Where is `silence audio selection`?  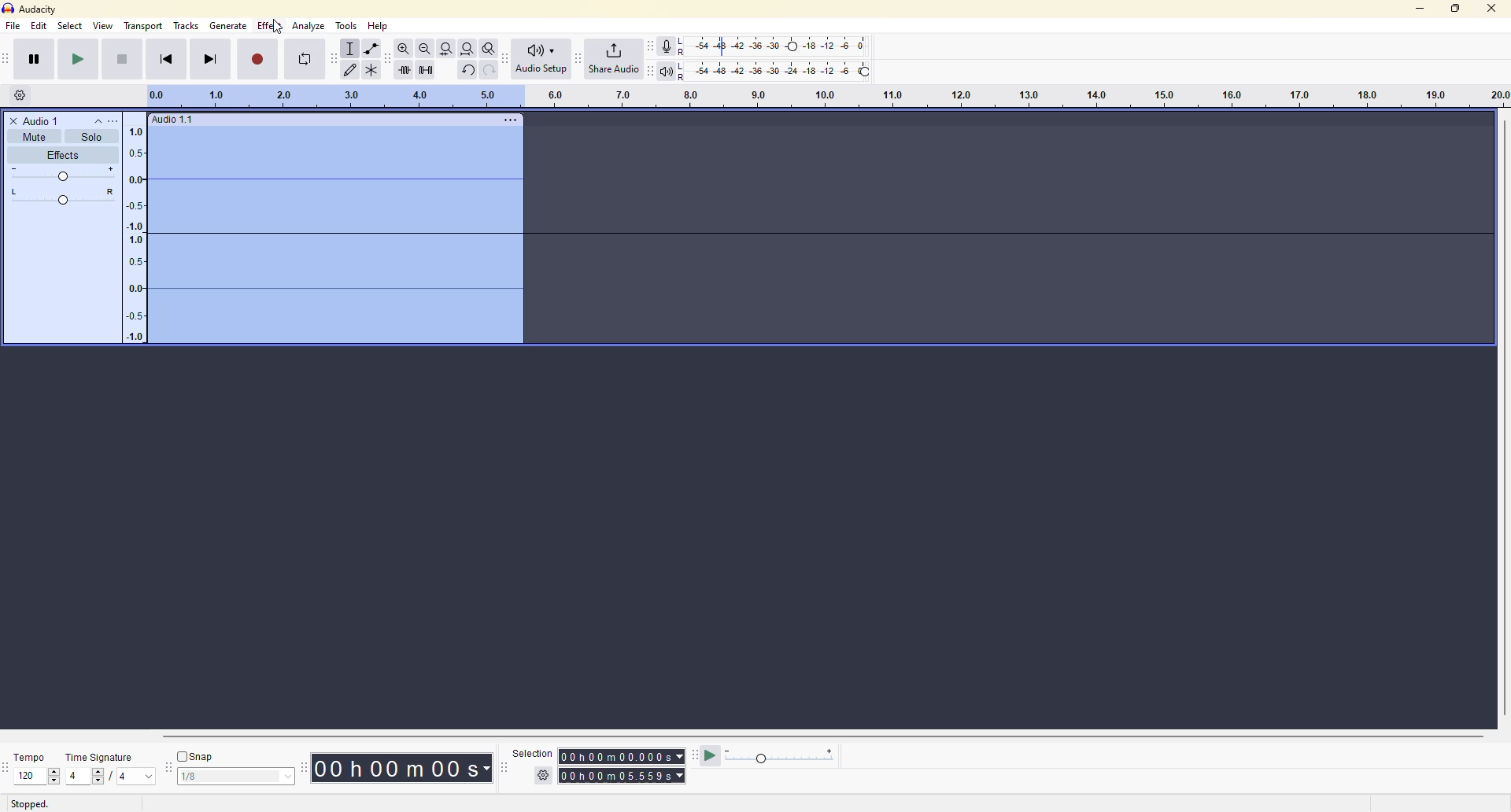
silence audio selection is located at coordinates (424, 68).